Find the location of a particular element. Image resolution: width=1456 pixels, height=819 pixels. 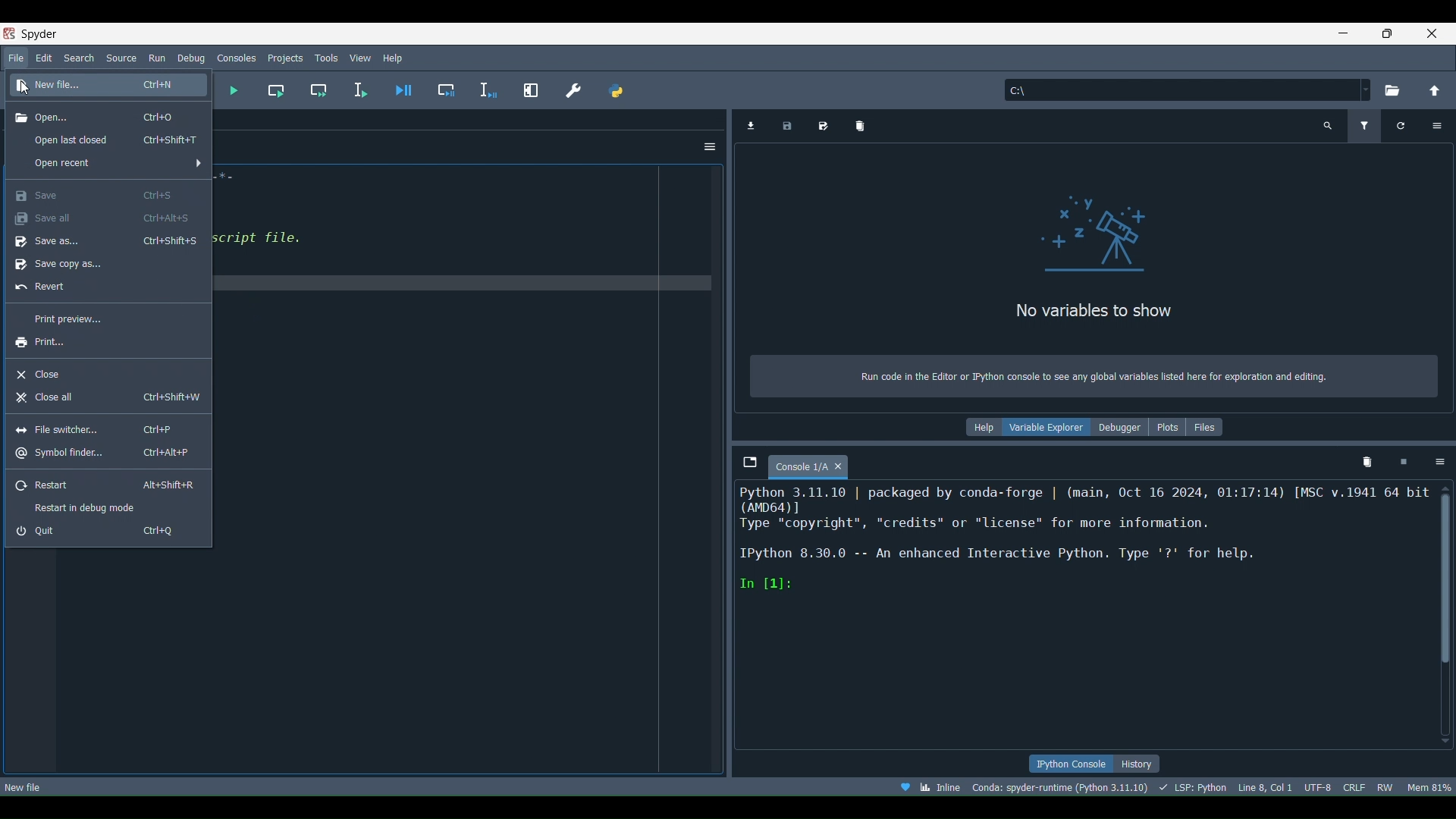

 is located at coordinates (1096, 426).